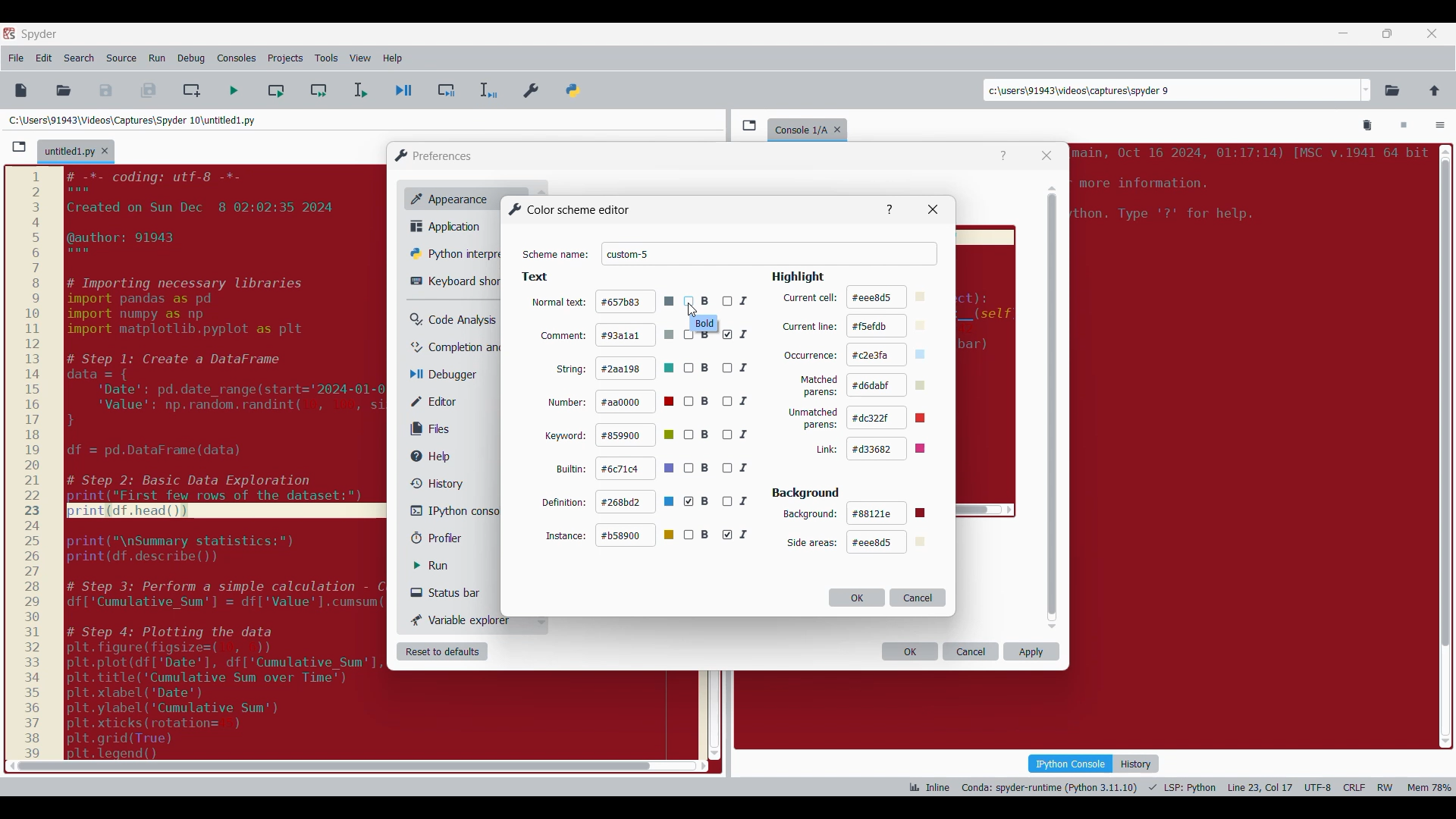  Describe the element at coordinates (798, 128) in the screenshot. I see `console` at that location.